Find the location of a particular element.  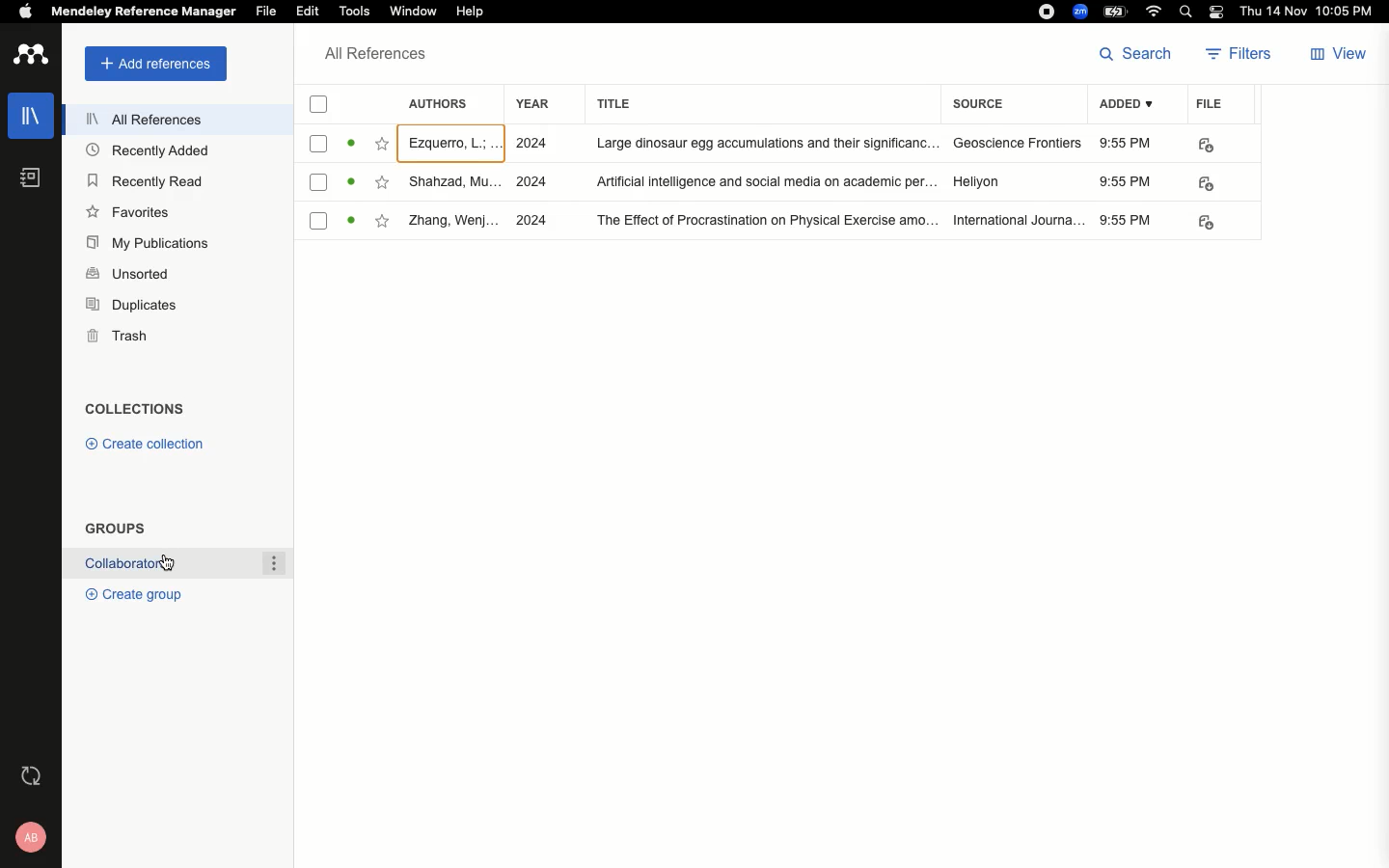

2024 is located at coordinates (535, 142).